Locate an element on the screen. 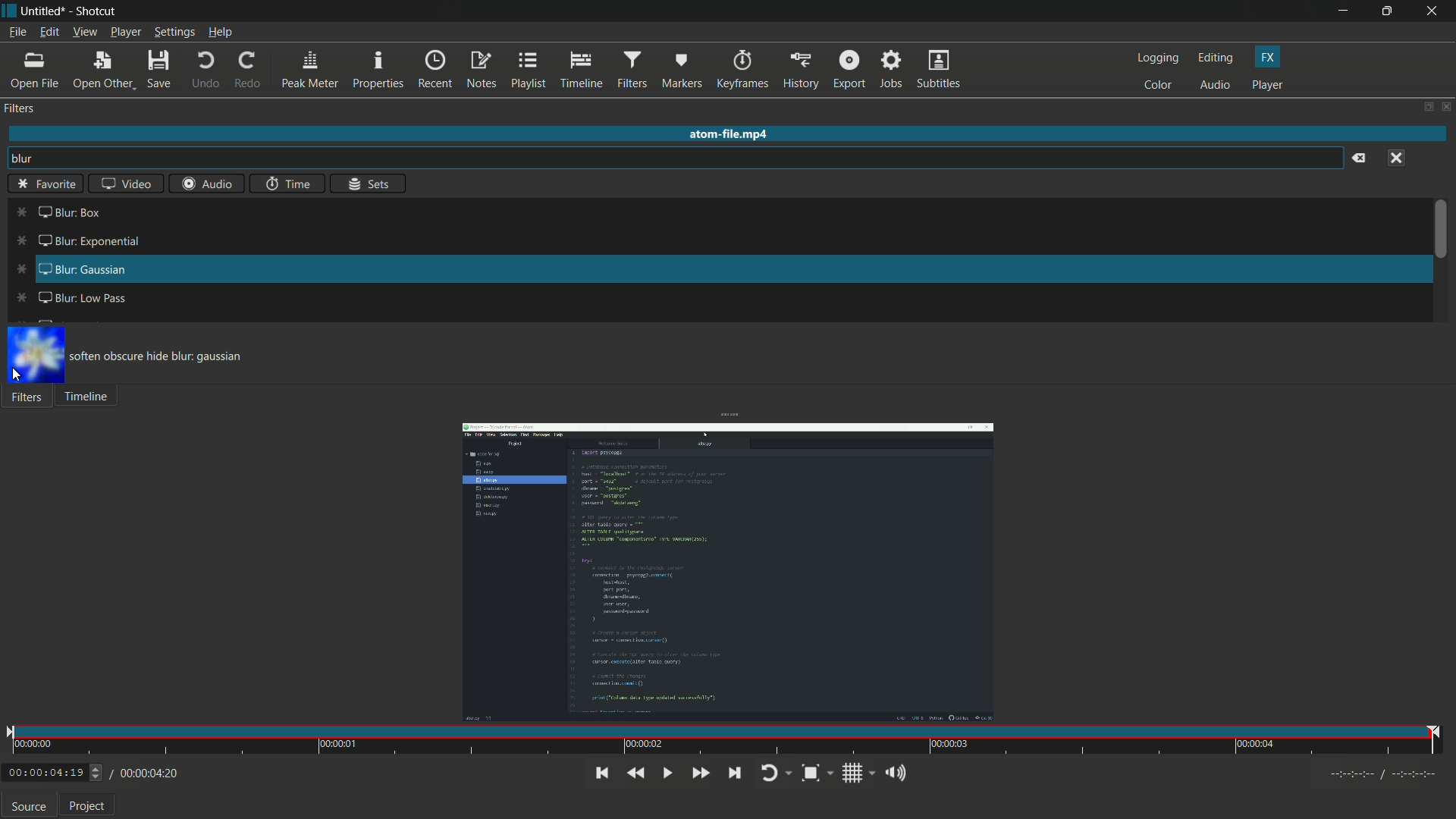 This screenshot has height=819, width=1456. blur box is located at coordinates (58, 211).